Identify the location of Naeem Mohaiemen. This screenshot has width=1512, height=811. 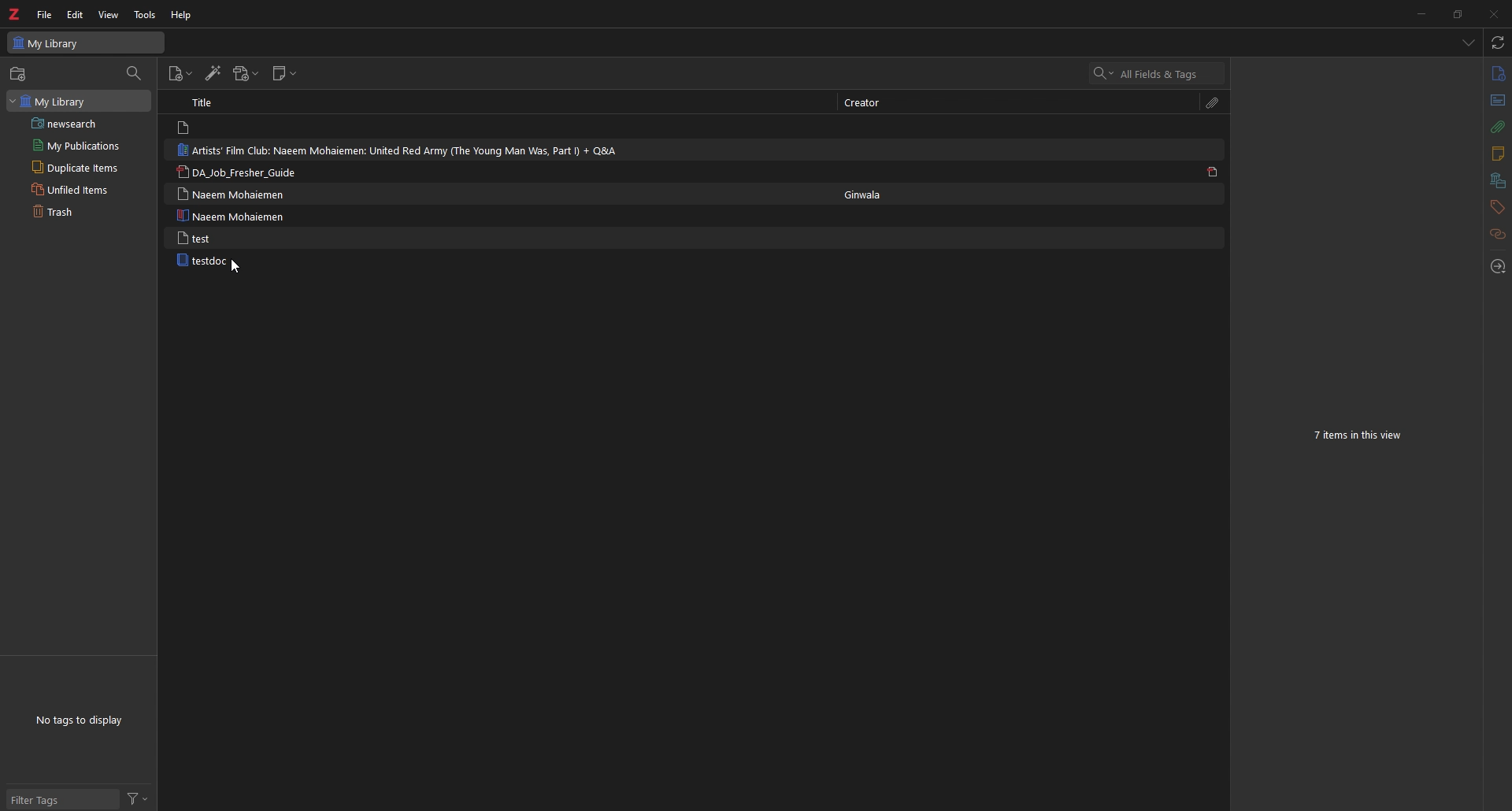
(231, 194).